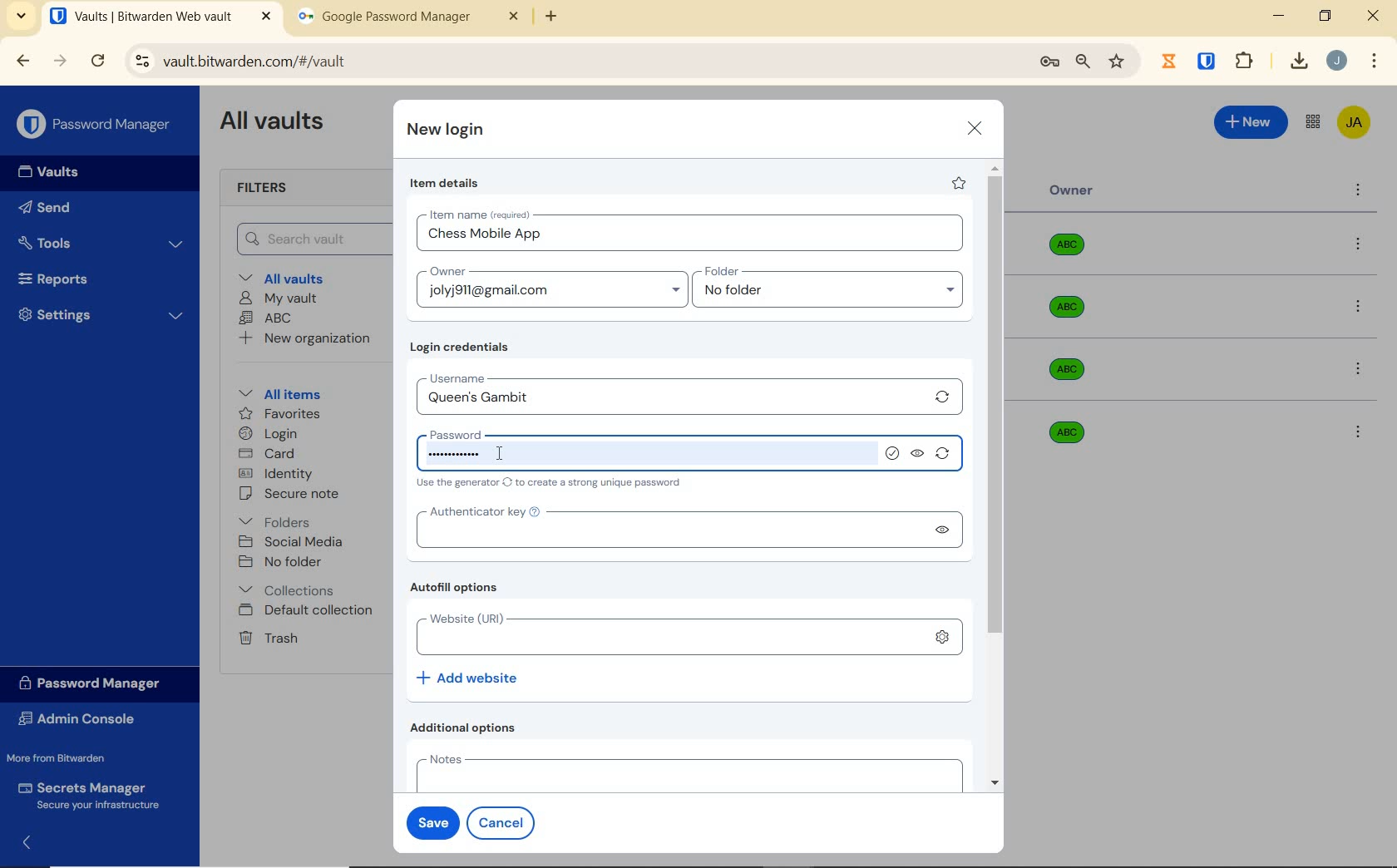 The image size is (1397, 868). I want to click on option, so click(1357, 431).